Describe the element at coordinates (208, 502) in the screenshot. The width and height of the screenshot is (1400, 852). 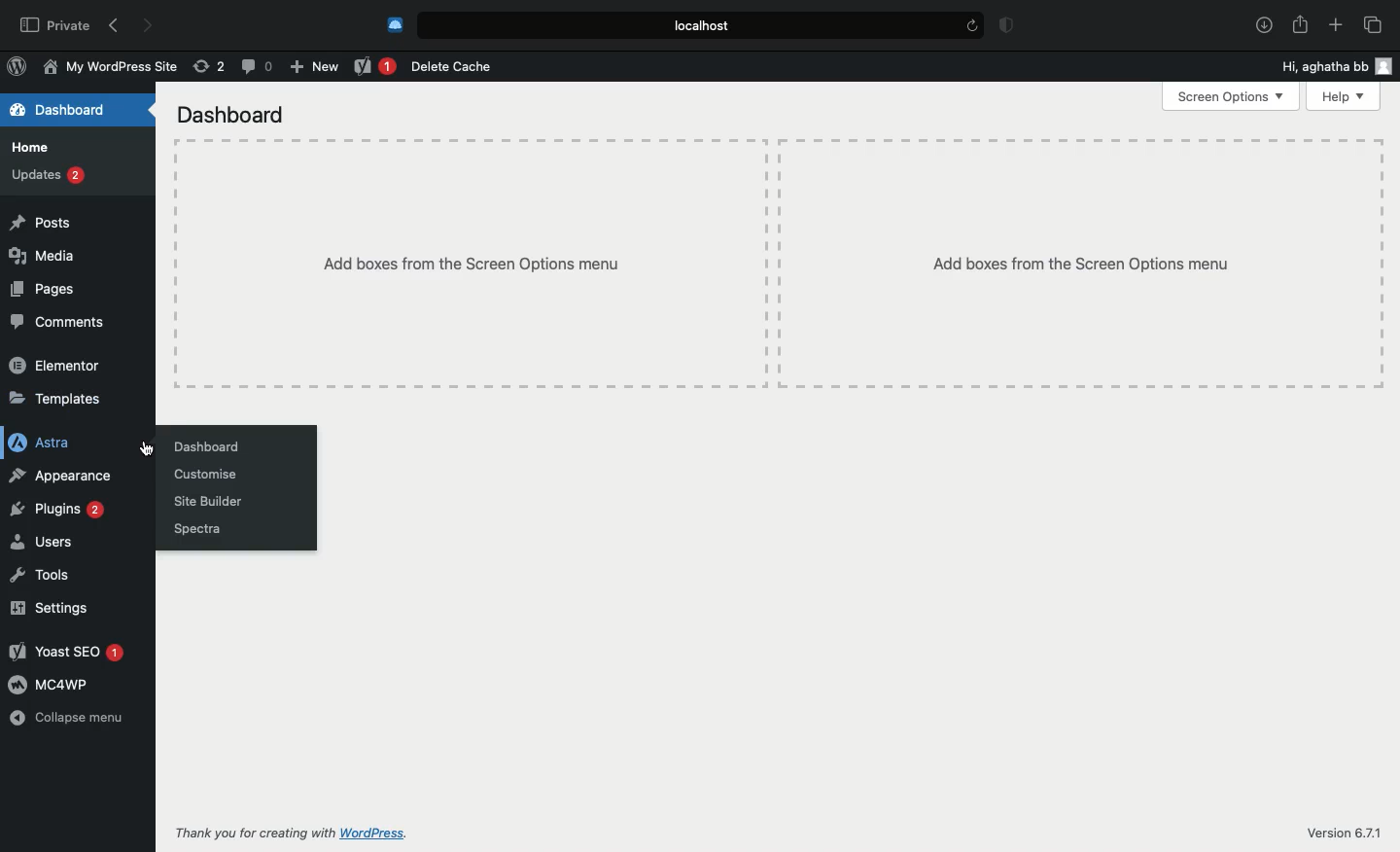
I see `Site builder` at that location.